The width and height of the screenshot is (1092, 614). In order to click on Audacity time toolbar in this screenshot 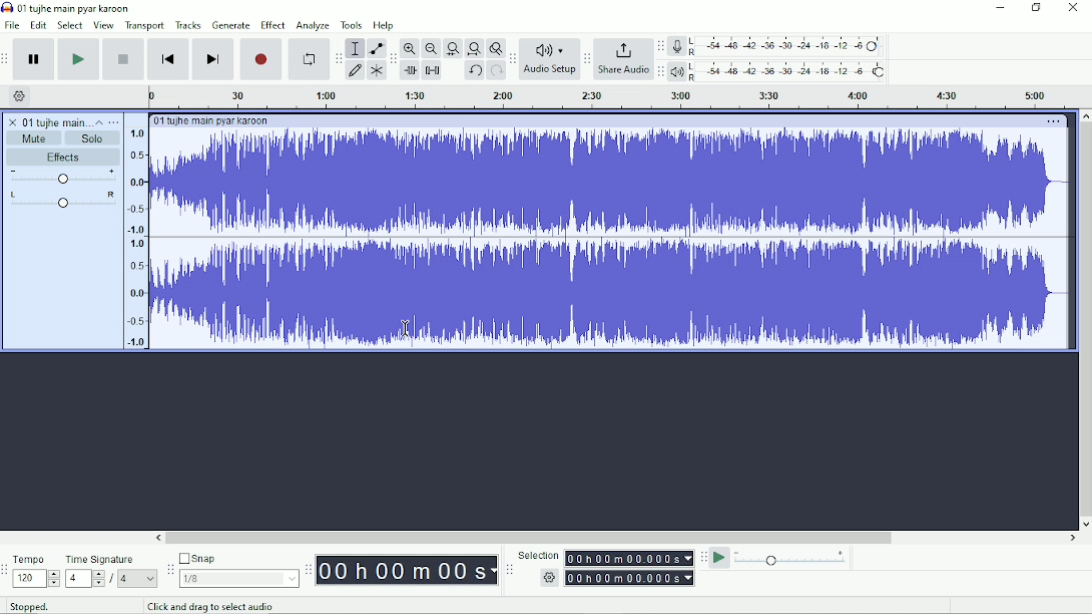, I will do `click(308, 569)`.